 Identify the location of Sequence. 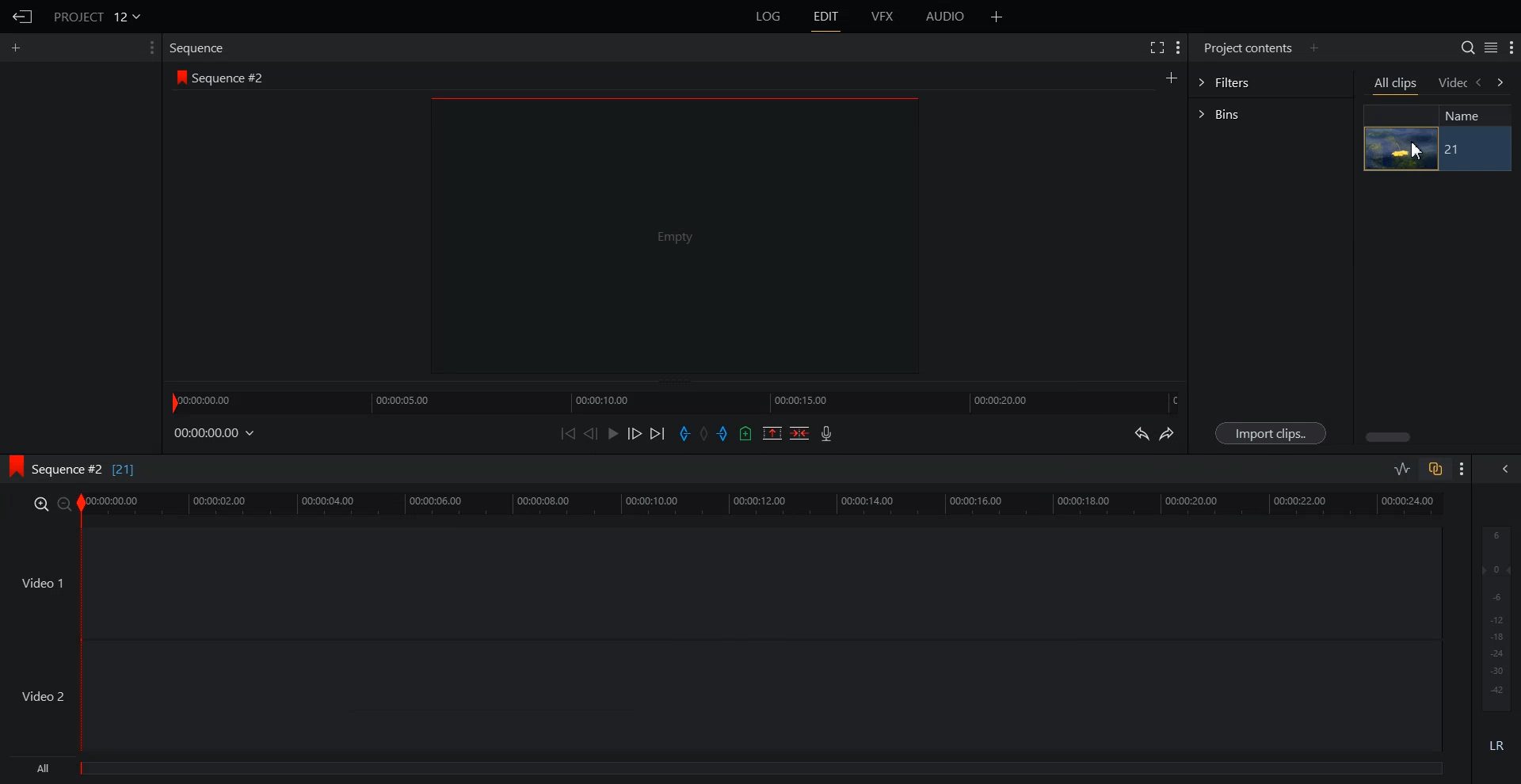
(200, 47).